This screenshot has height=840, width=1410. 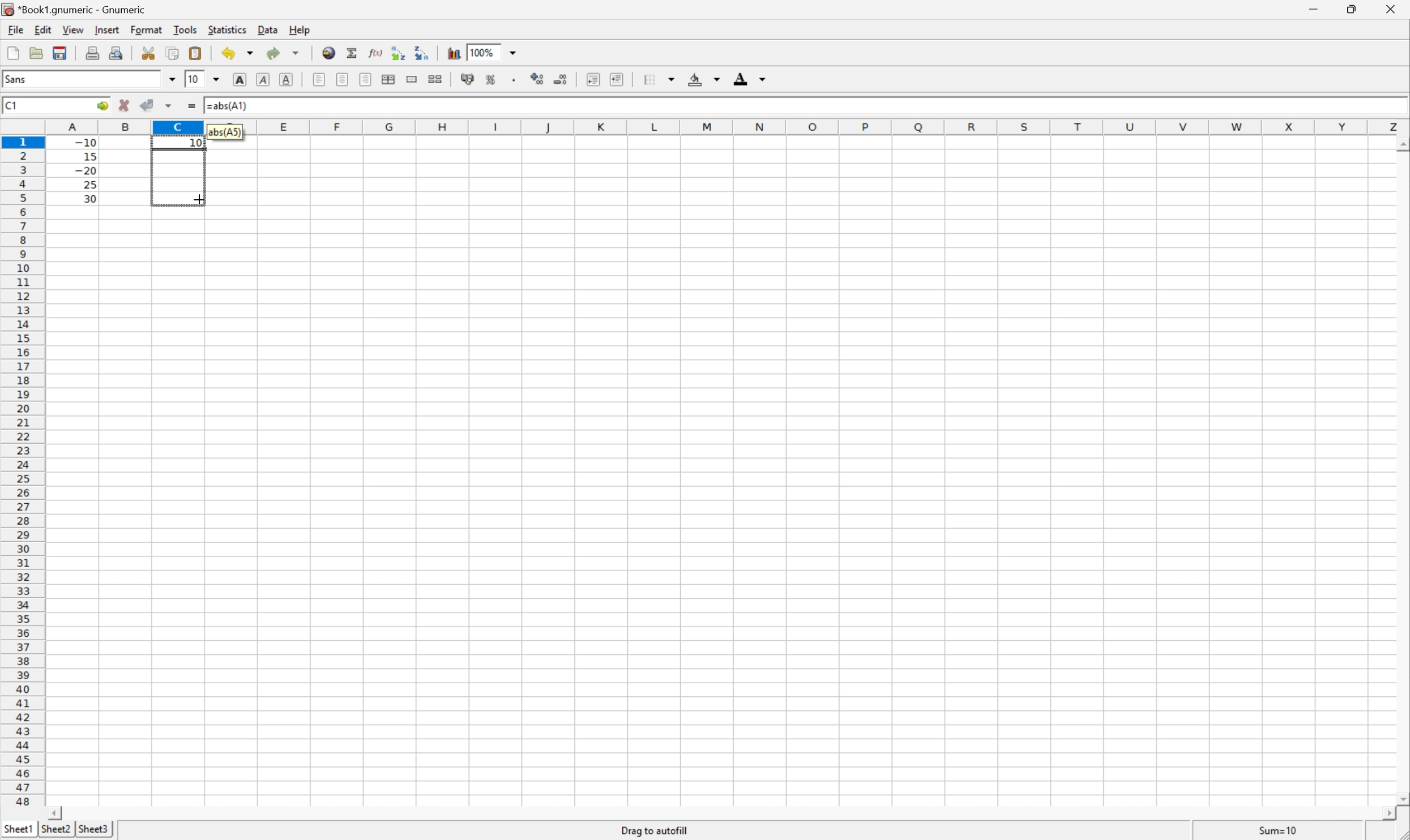 I want to click on bold, so click(x=237, y=78).